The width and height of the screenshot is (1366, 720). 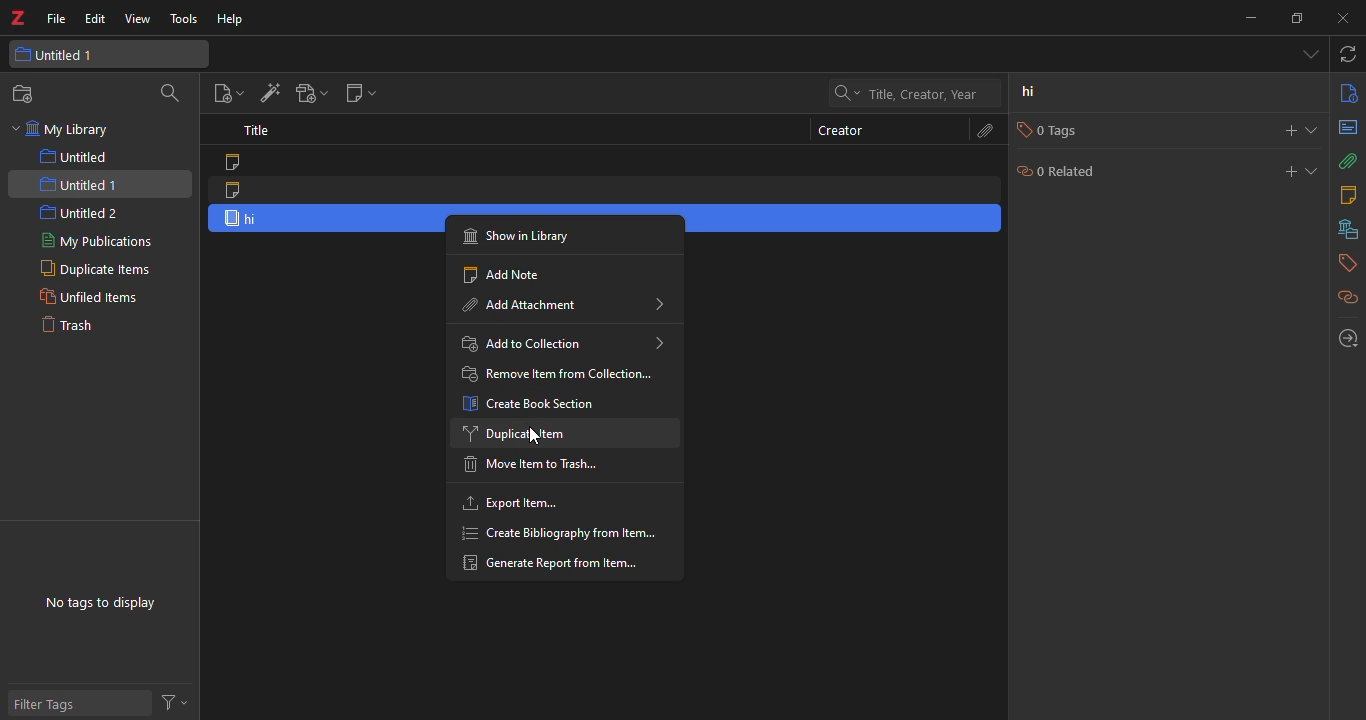 What do you see at coordinates (66, 326) in the screenshot?
I see `trash` at bounding box center [66, 326].